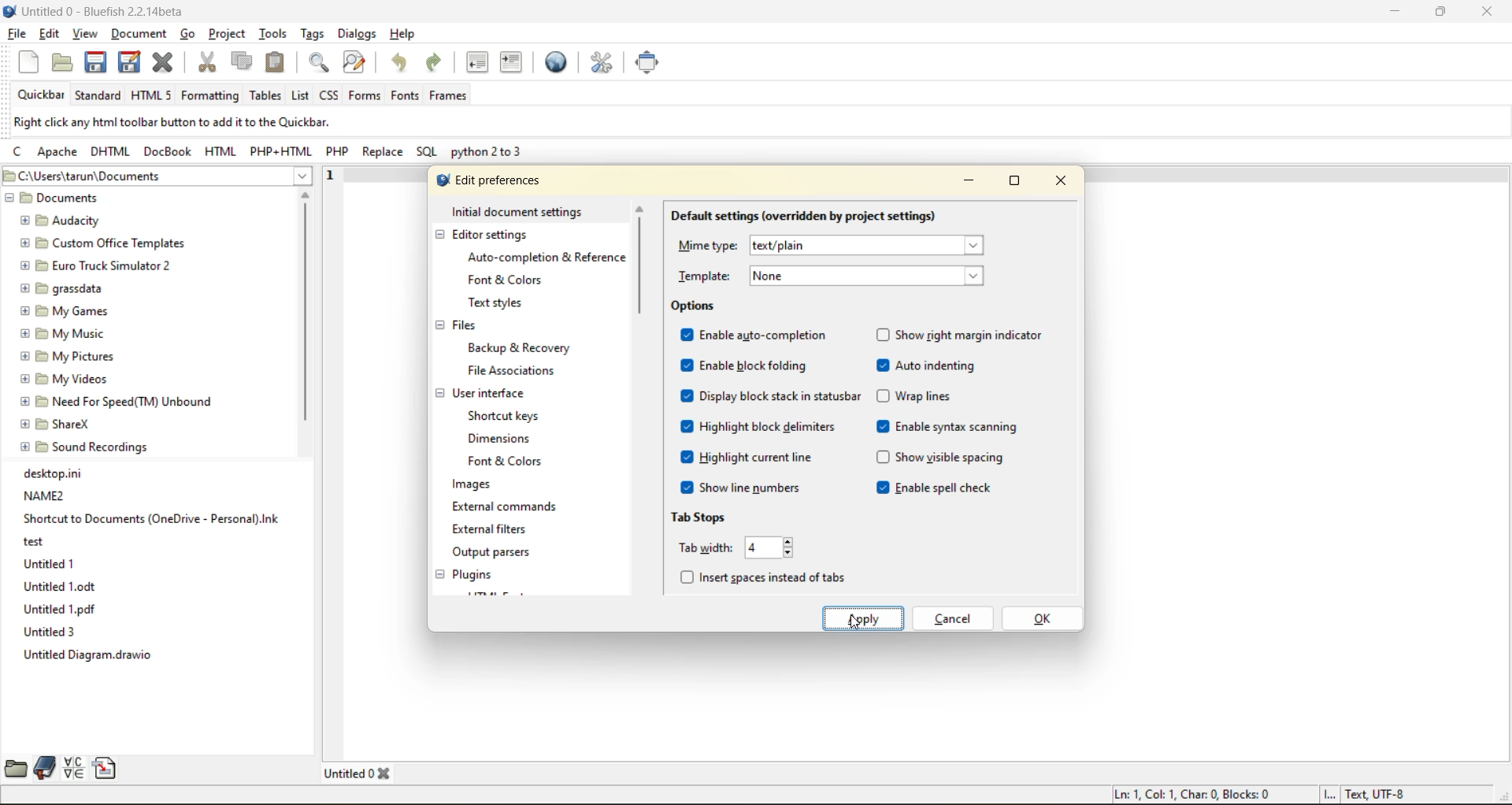 The image size is (1512, 805). Describe the element at coordinates (98, 199) in the screenshot. I see `documents` at that location.